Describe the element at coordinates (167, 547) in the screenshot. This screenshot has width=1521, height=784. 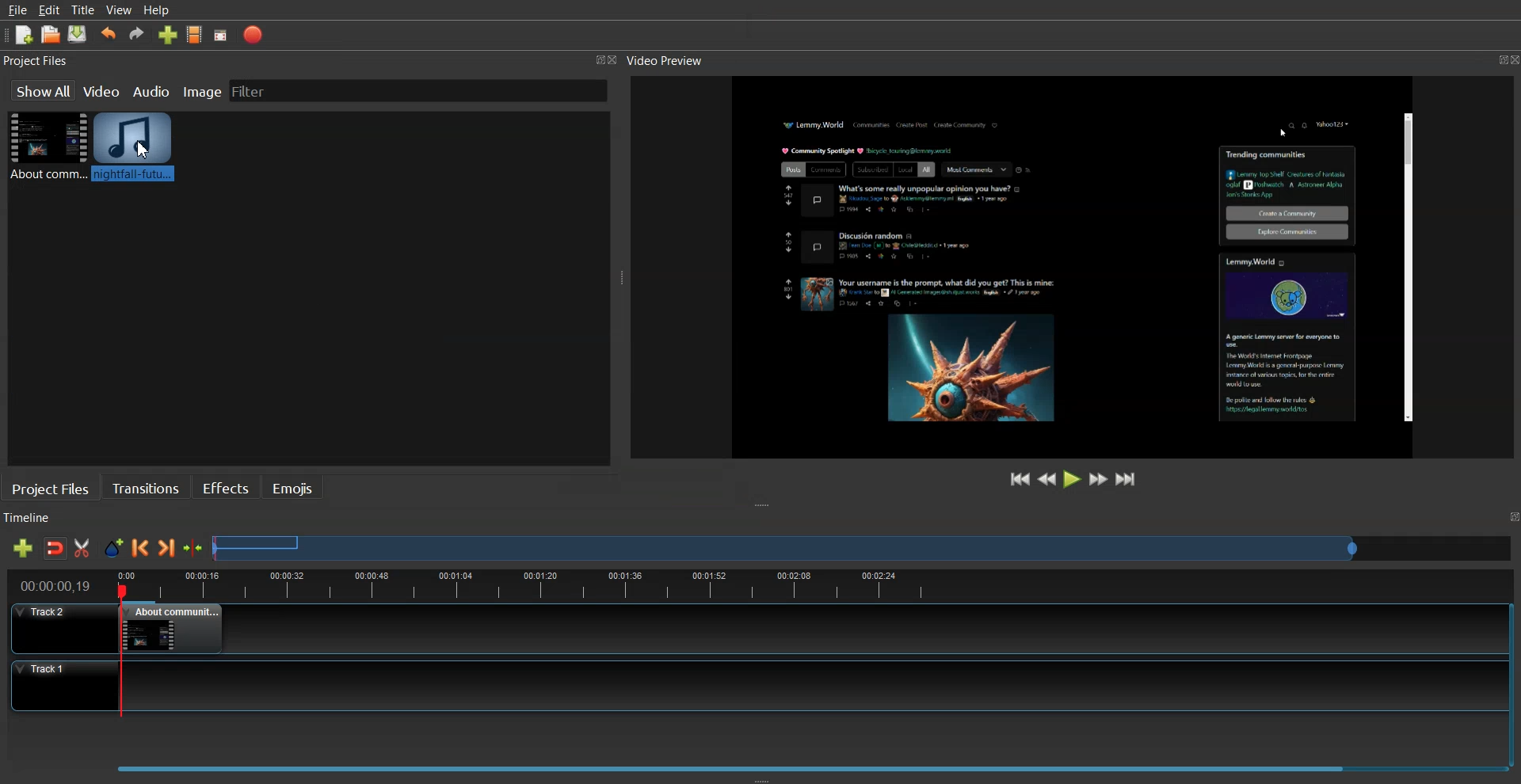
I see `Next Marker` at that location.